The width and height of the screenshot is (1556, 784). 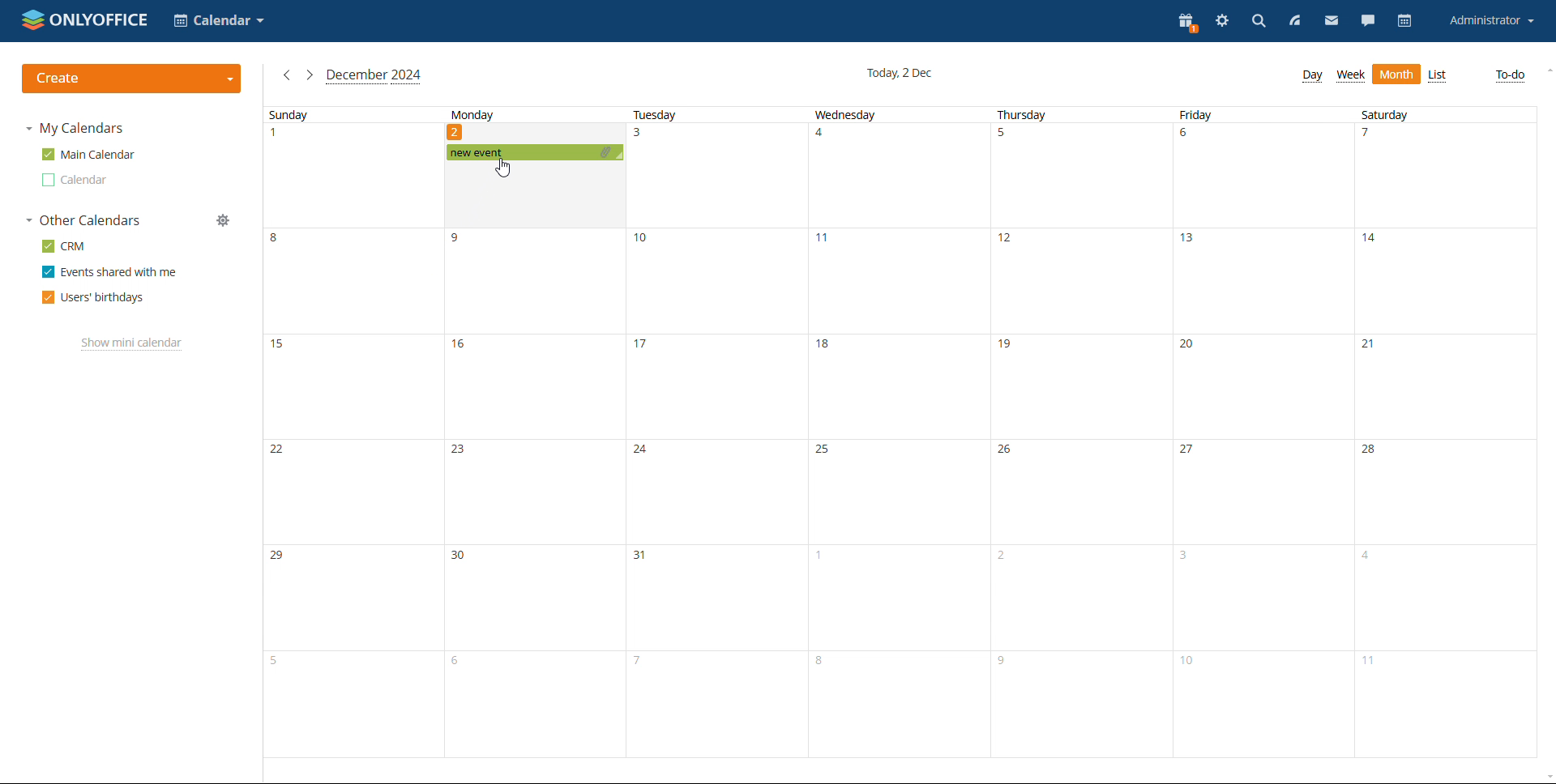 I want to click on 24, so click(x=642, y=450).